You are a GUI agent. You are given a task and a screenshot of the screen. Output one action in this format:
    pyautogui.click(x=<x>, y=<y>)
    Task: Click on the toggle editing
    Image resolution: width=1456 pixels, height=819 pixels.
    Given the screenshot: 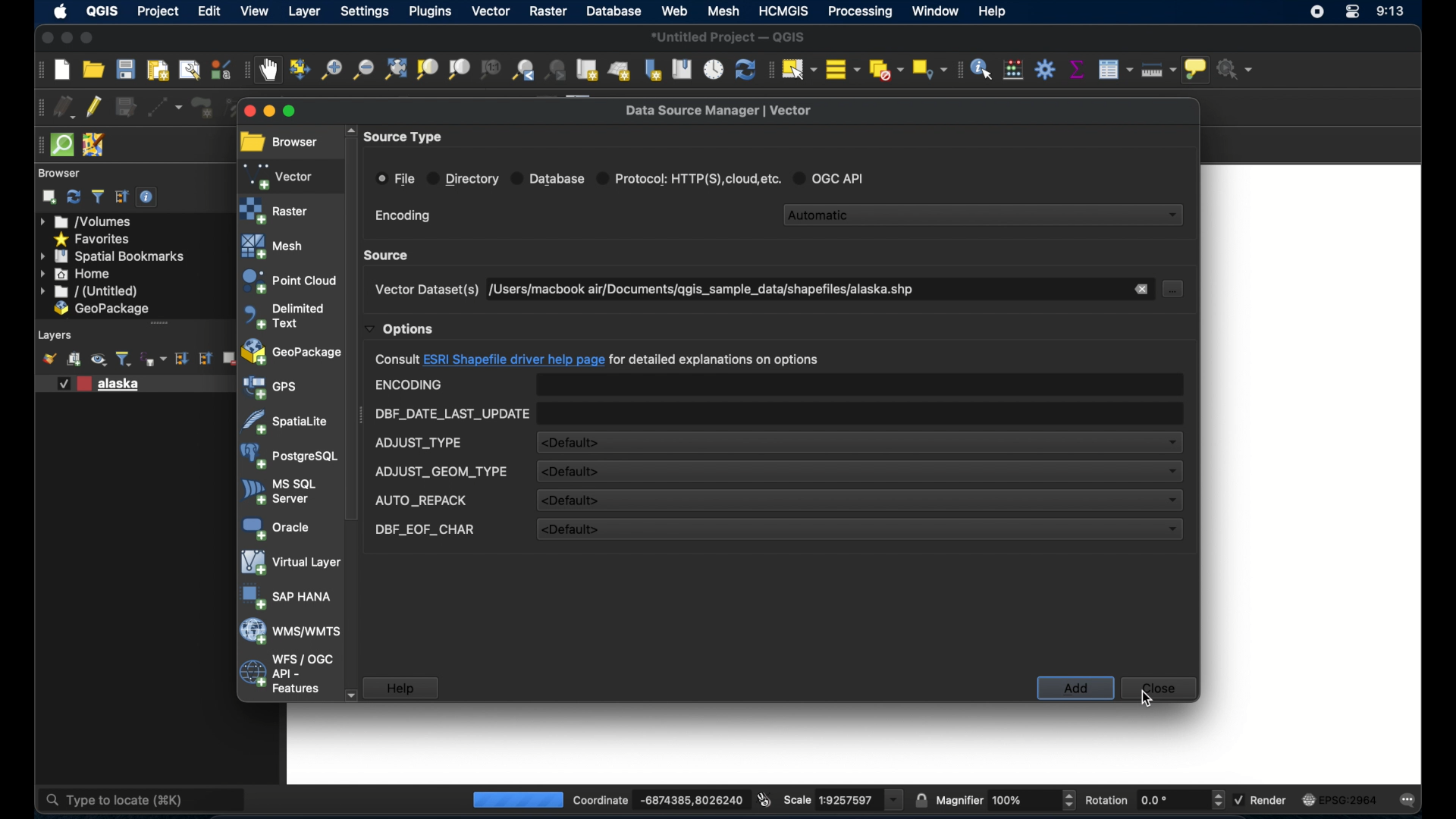 What is the action you would take?
    pyautogui.click(x=93, y=105)
    